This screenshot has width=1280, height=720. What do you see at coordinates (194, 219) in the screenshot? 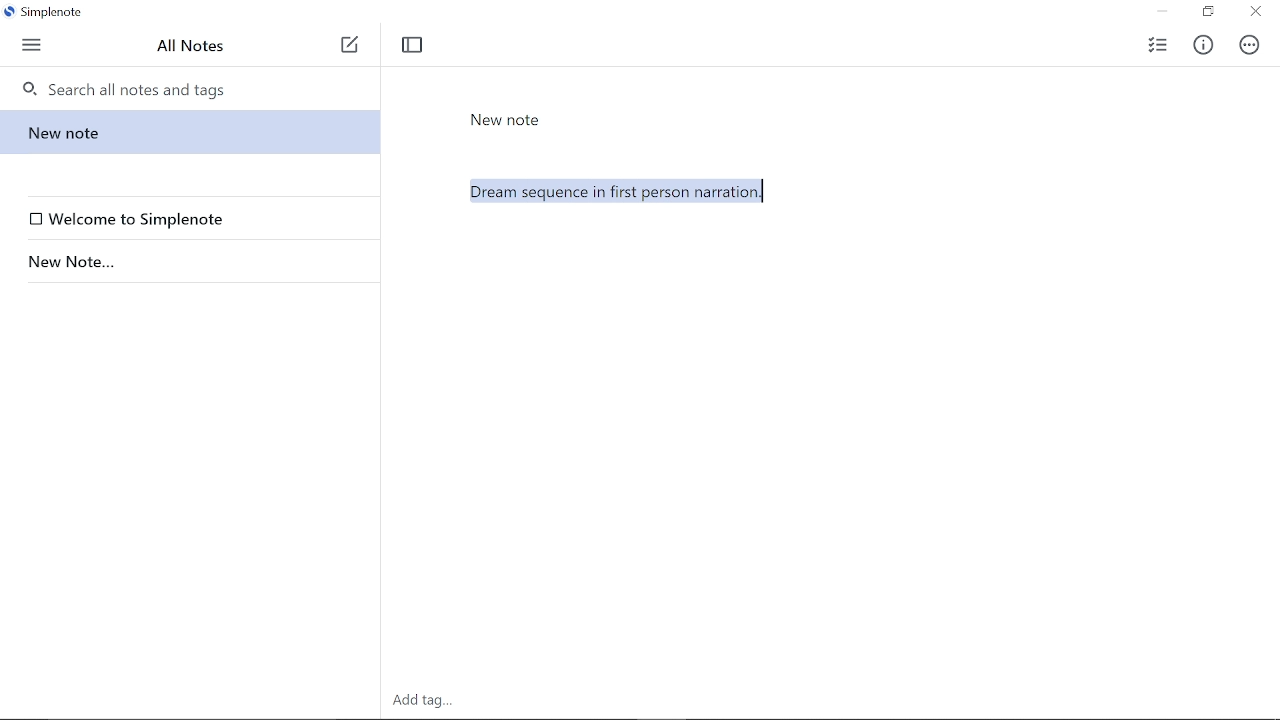
I see `Welcome to Simplenote` at bounding box center [194, 219].